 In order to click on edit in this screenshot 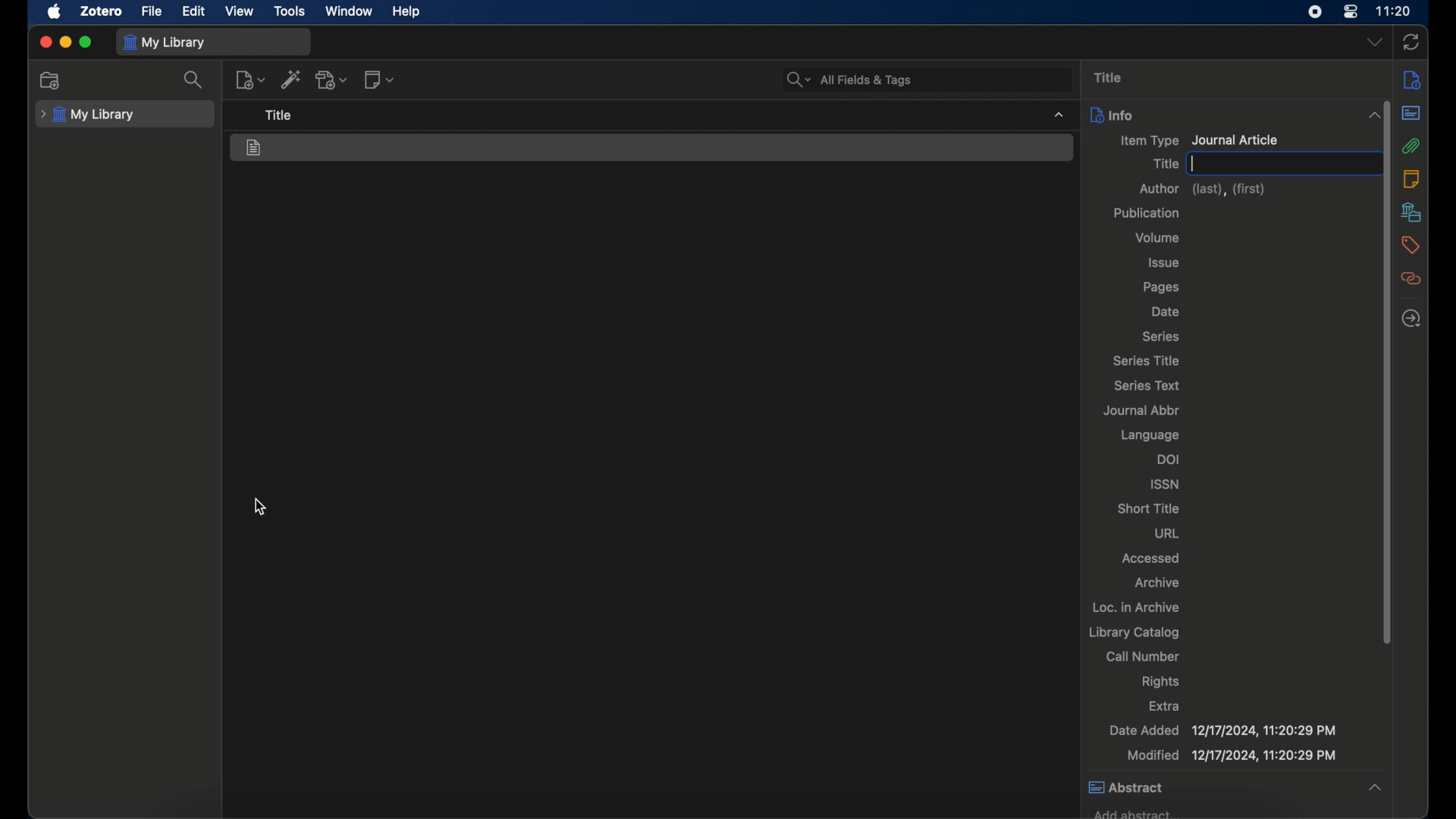, I will do `click(196, 12)`.